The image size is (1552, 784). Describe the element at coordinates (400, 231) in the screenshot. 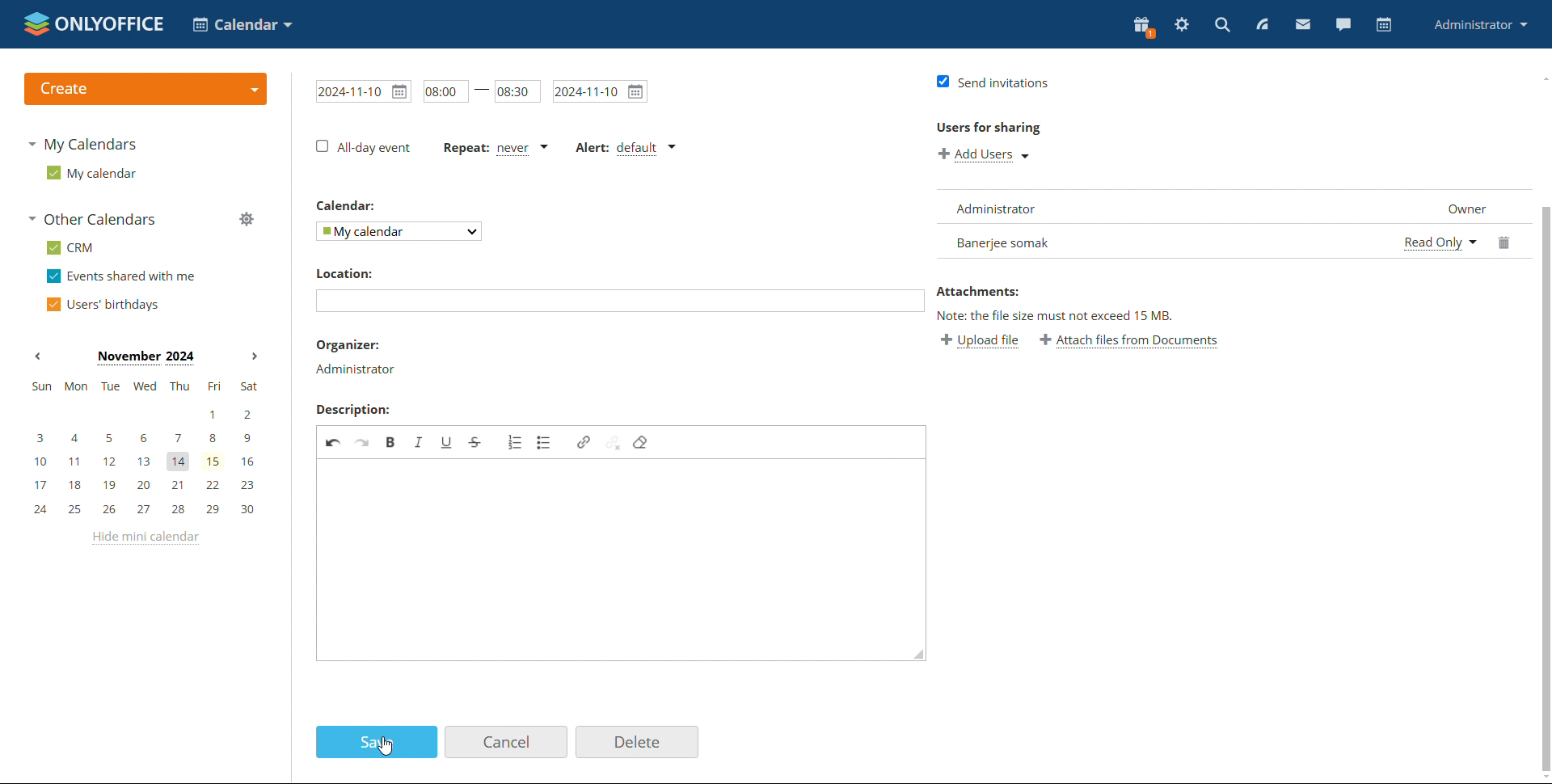

I see `select calendar` at that location.